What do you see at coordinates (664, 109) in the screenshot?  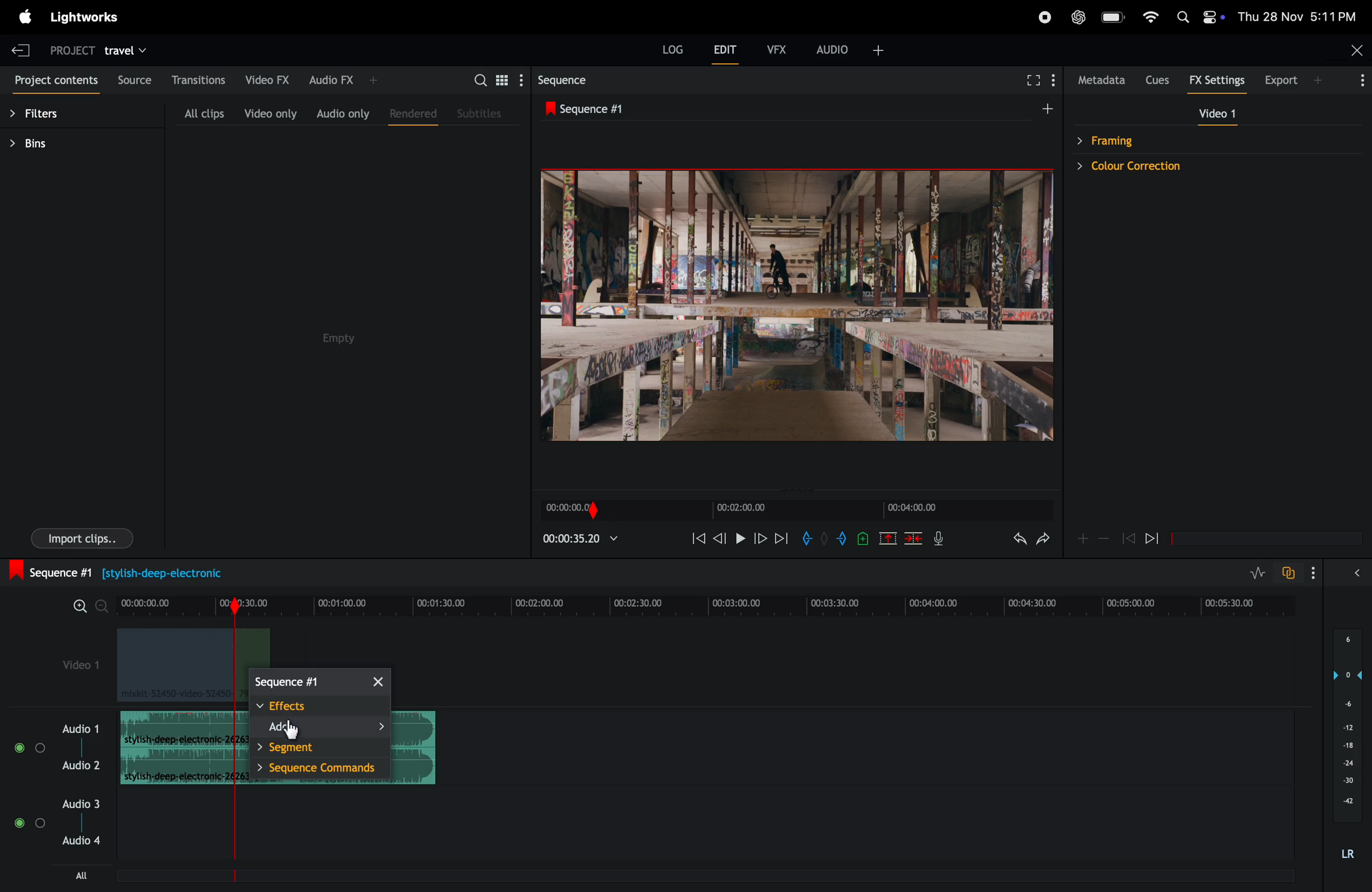 I see `sequence 1` at bounding box center [664, 109].